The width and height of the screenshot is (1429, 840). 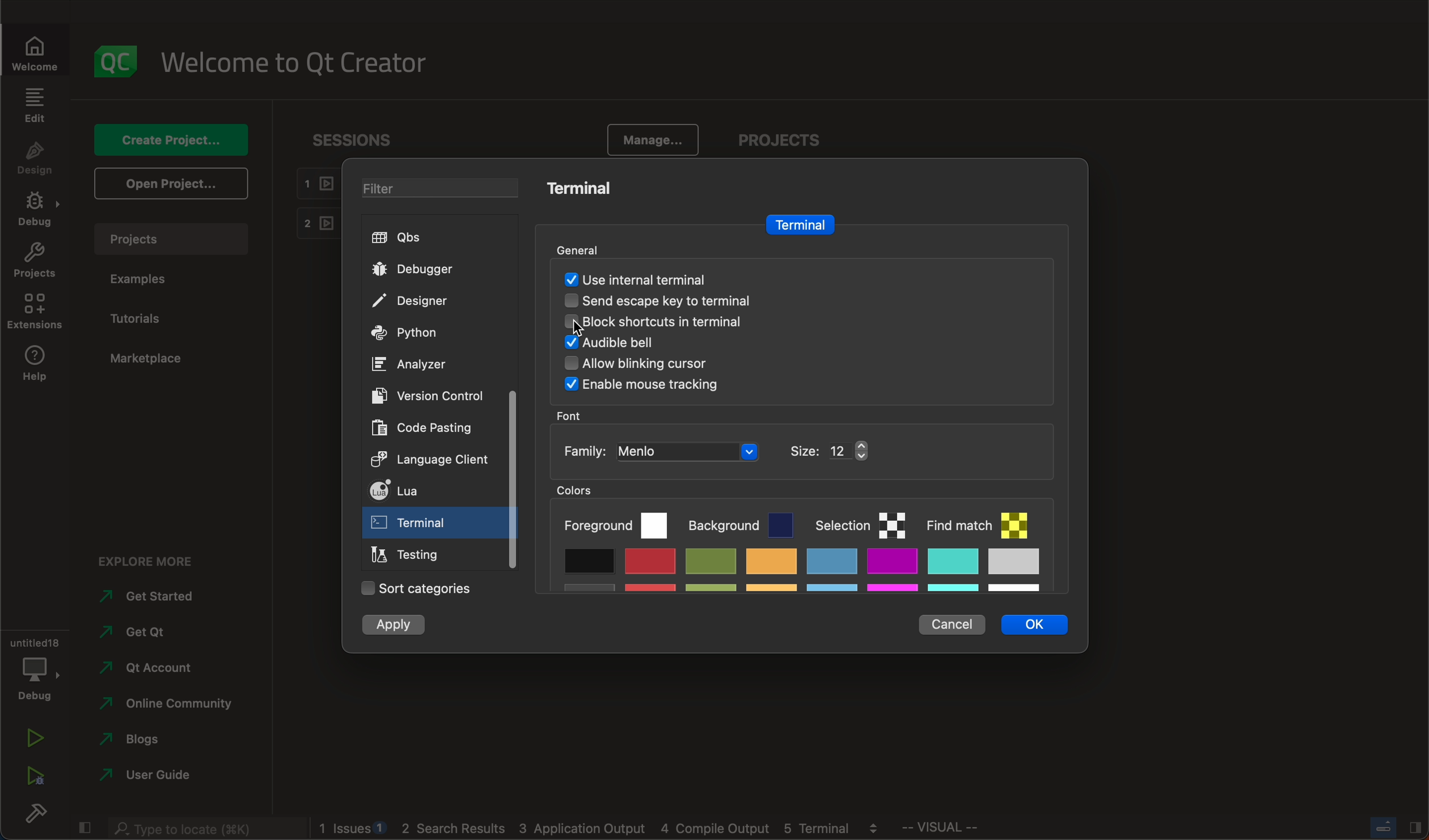 I want to click on started, so click(x=156, y=597).